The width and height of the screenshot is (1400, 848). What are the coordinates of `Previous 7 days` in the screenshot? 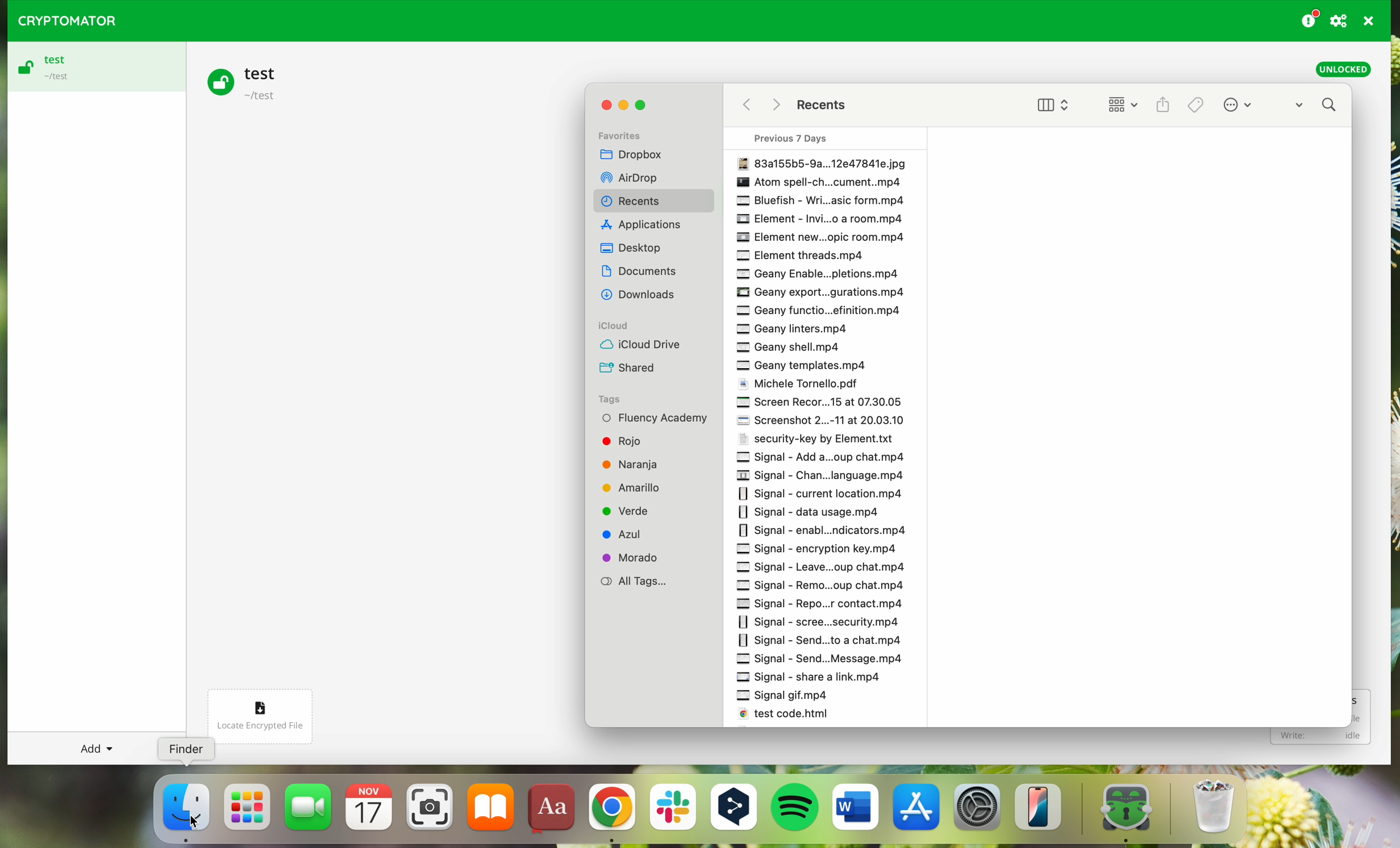 It's located at (797, 137).